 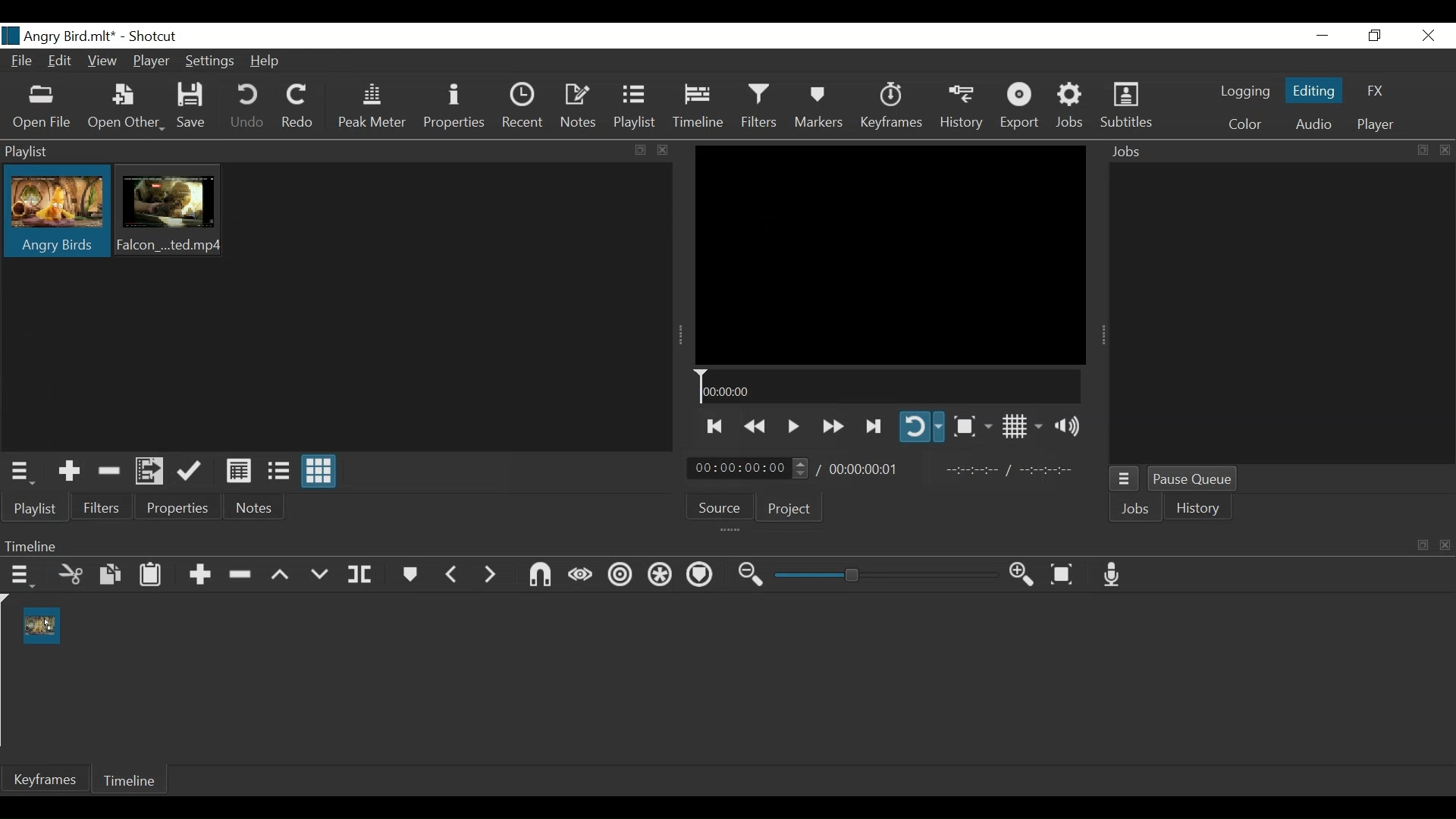 What do you see at coordinates (757, 424) in the screenshot?
I see `Play backward quickly` at bounding box center [757, 424].